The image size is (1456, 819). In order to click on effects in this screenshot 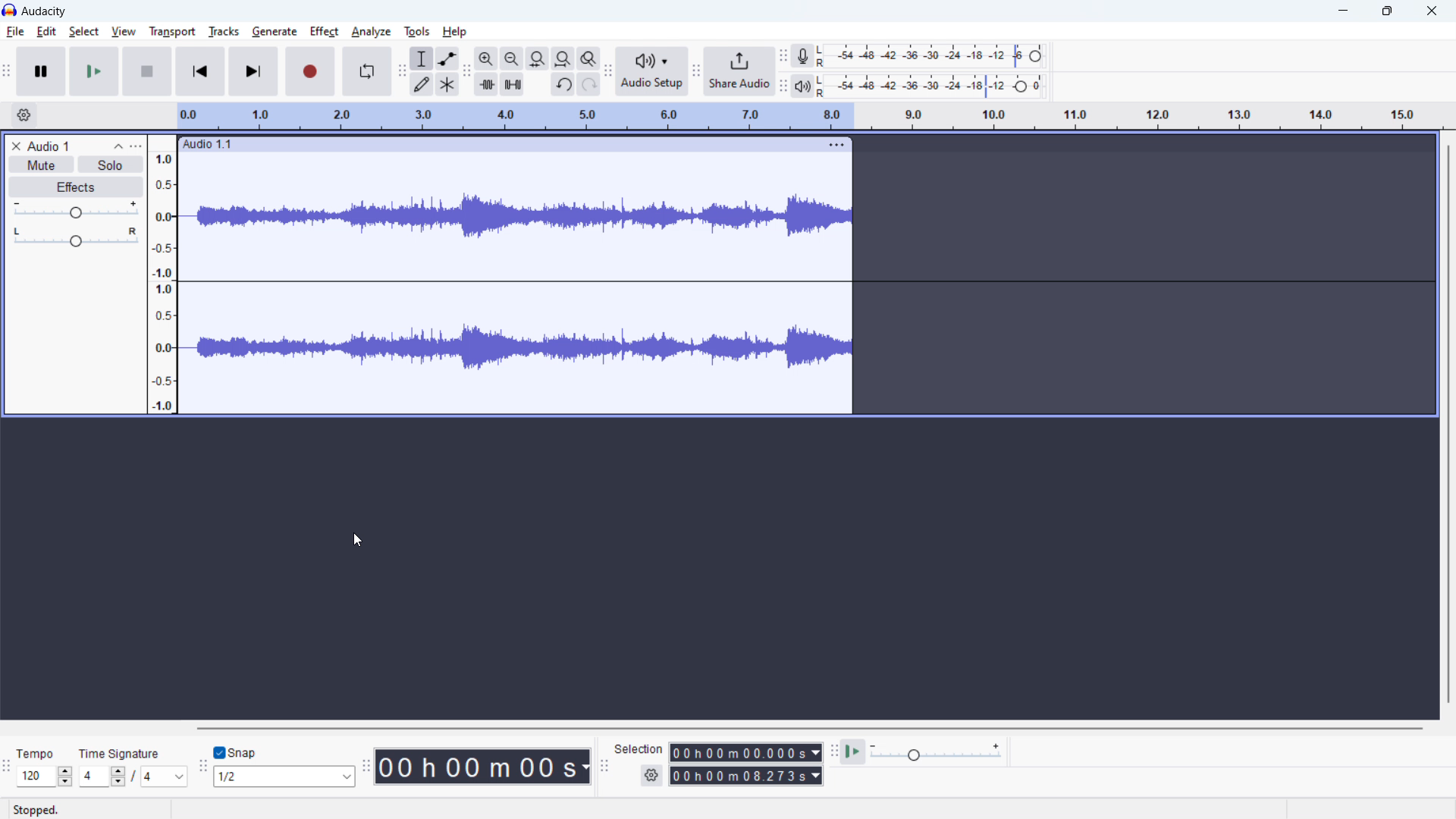, I will do `click(77, 187)`.